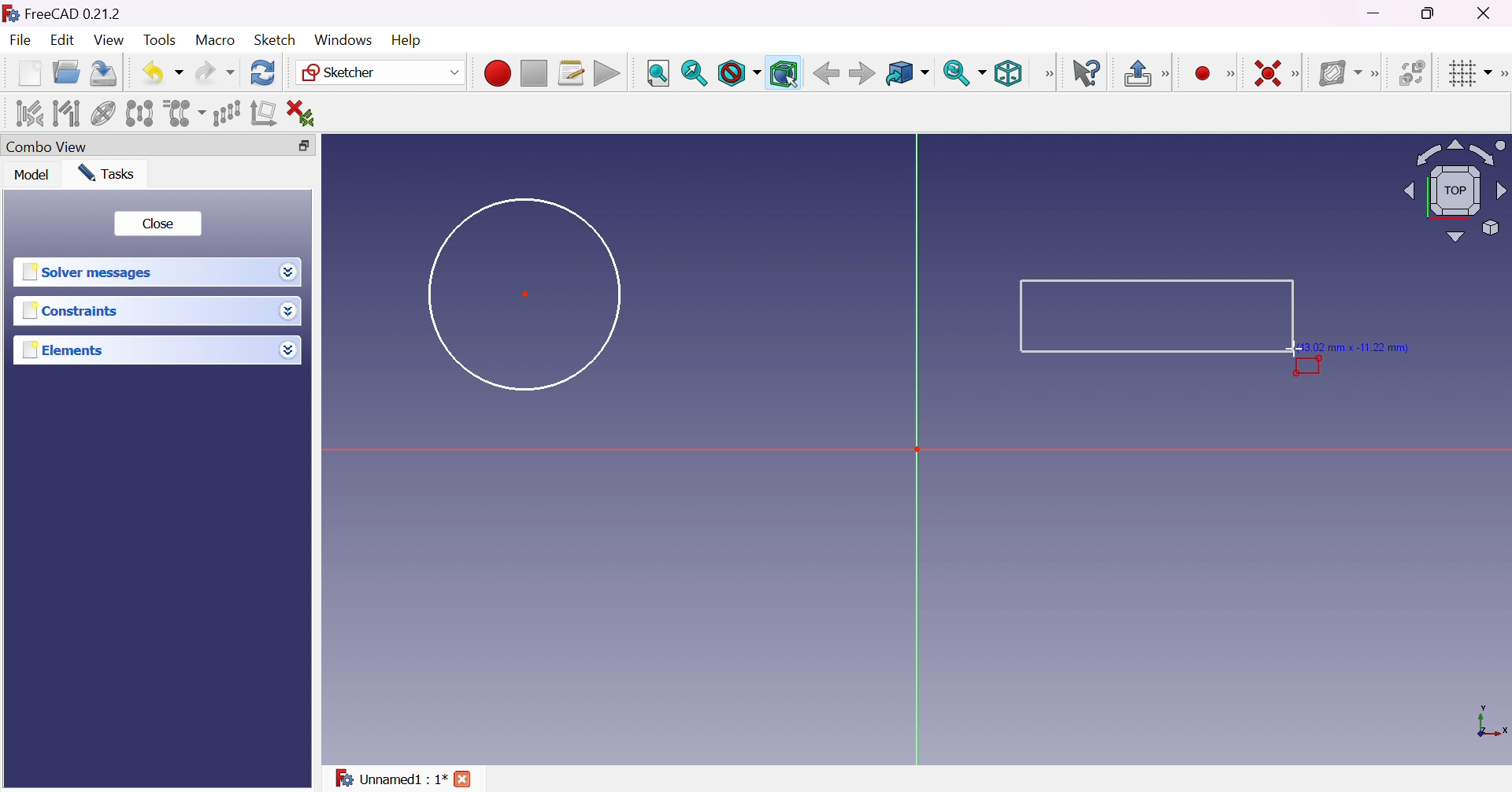 The height and width of the screenshot is (792, 1512). I want to click on Drop down, so click(288, 350).